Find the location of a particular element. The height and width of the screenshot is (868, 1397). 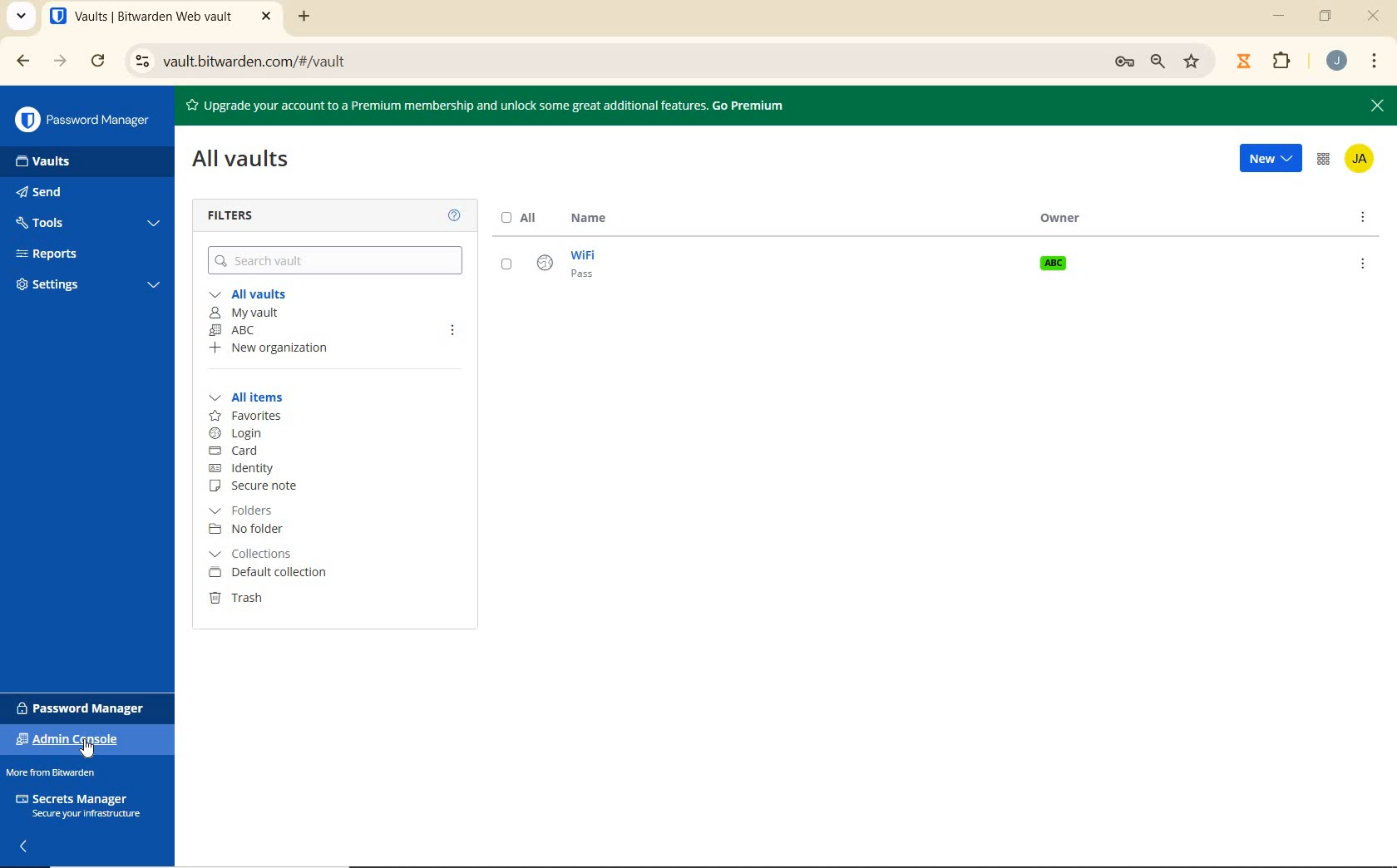

ADMIN CONSOLE is located at coordinates (74, 740).